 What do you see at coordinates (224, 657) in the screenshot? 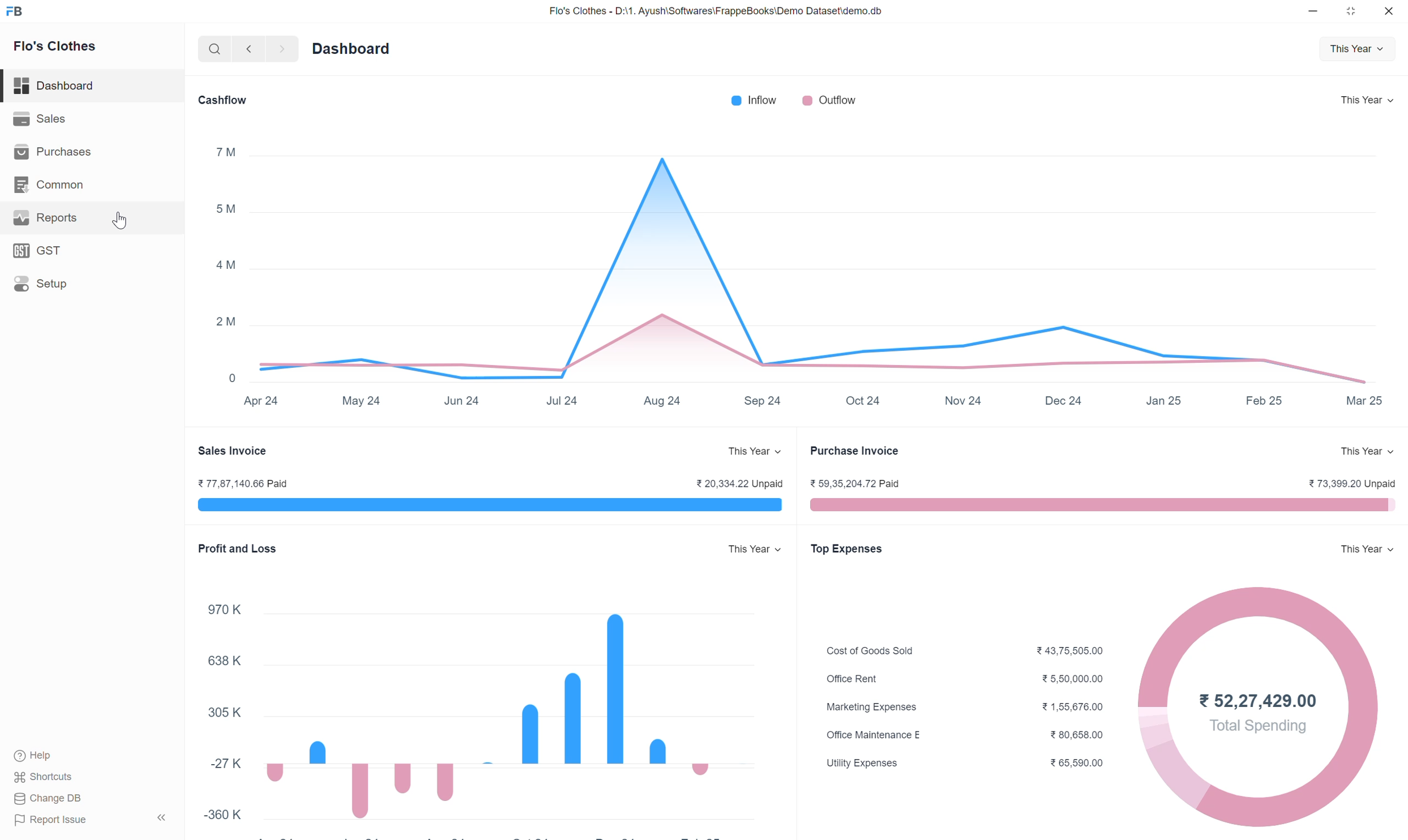
I see `638 K` at bounding box center [224, 657].